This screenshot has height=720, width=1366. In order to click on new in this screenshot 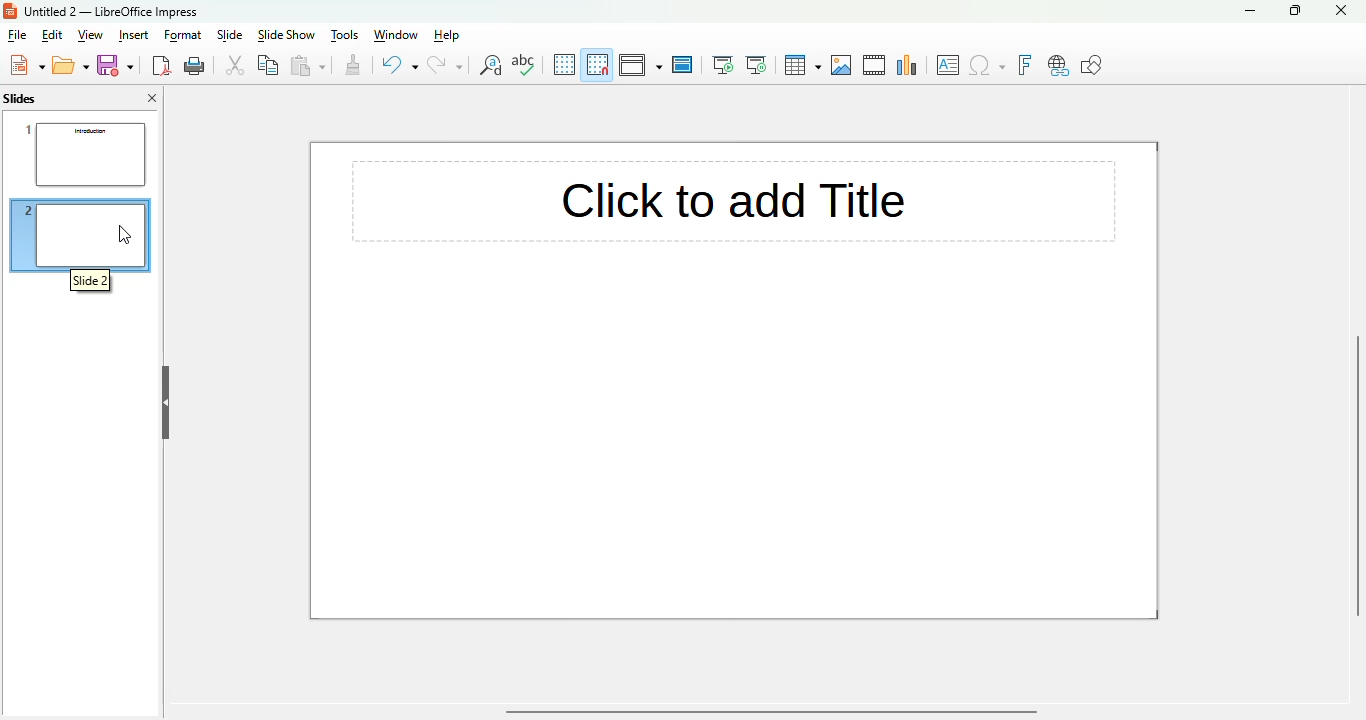, I will do `click(27, 65)`.